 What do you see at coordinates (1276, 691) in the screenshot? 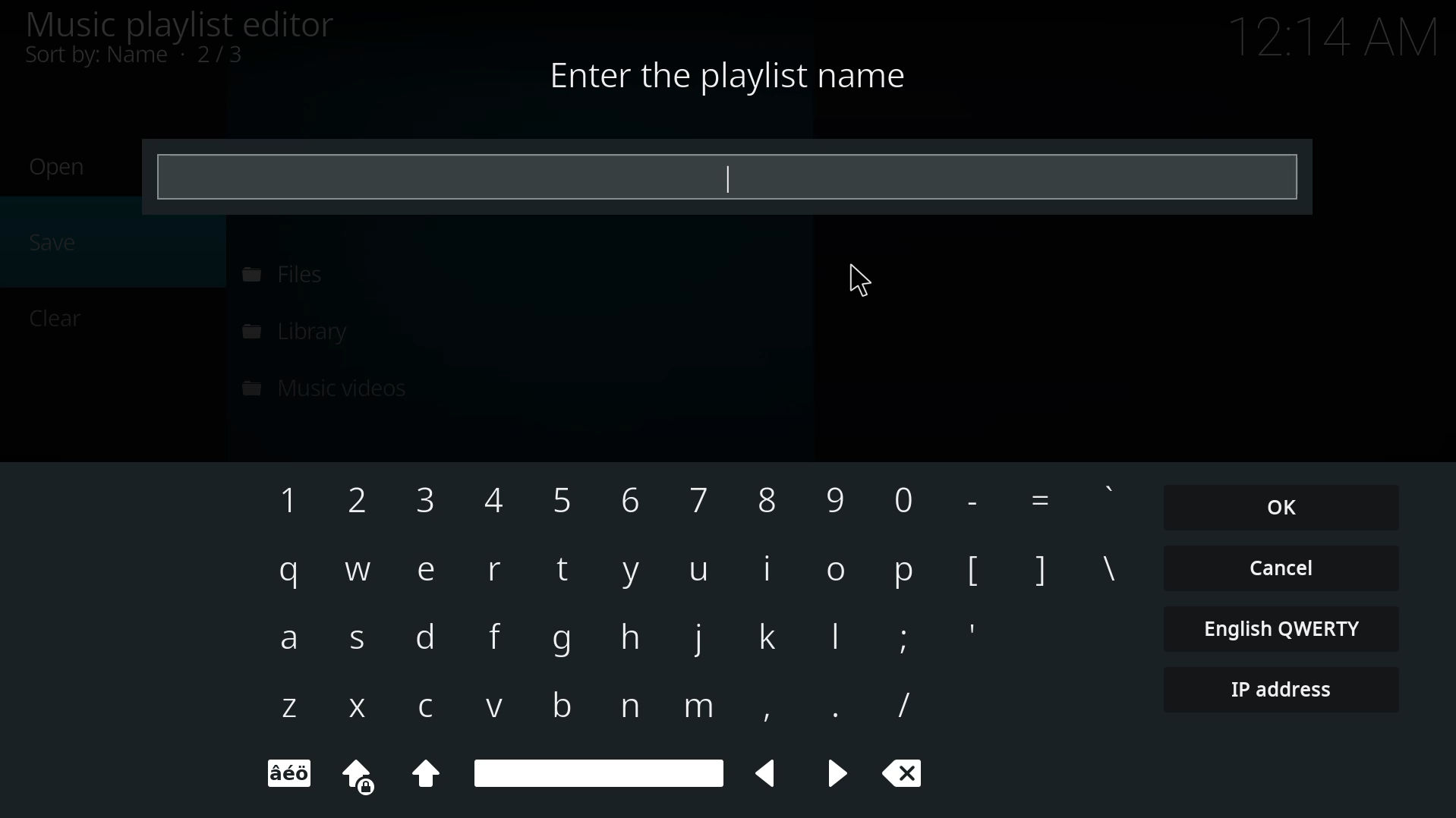
I see `ip address` at bounding box center [1276, 691].